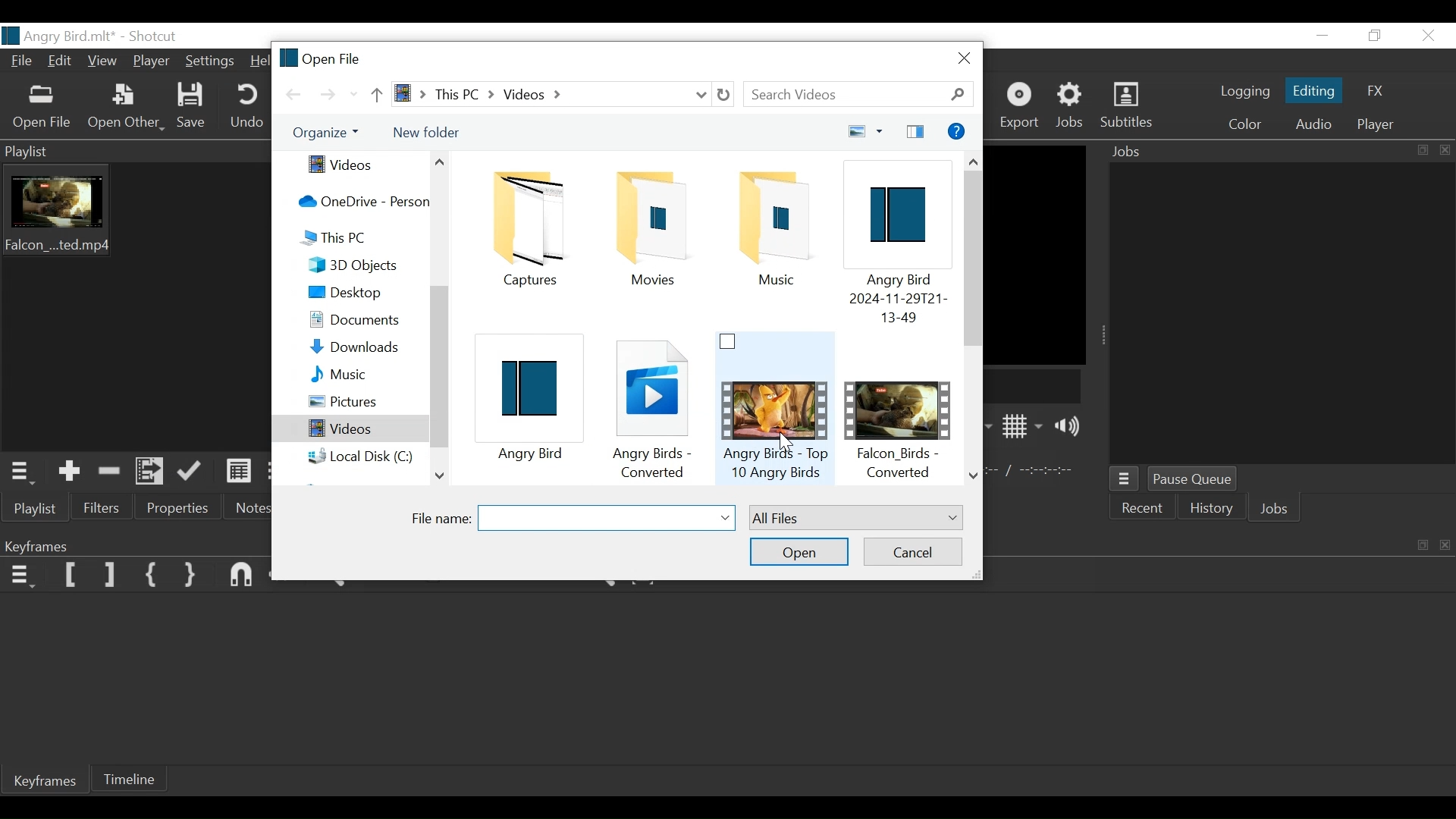 The height and width of the screenshot is (819, 1456). I want to click on Document, so click(362, 322).